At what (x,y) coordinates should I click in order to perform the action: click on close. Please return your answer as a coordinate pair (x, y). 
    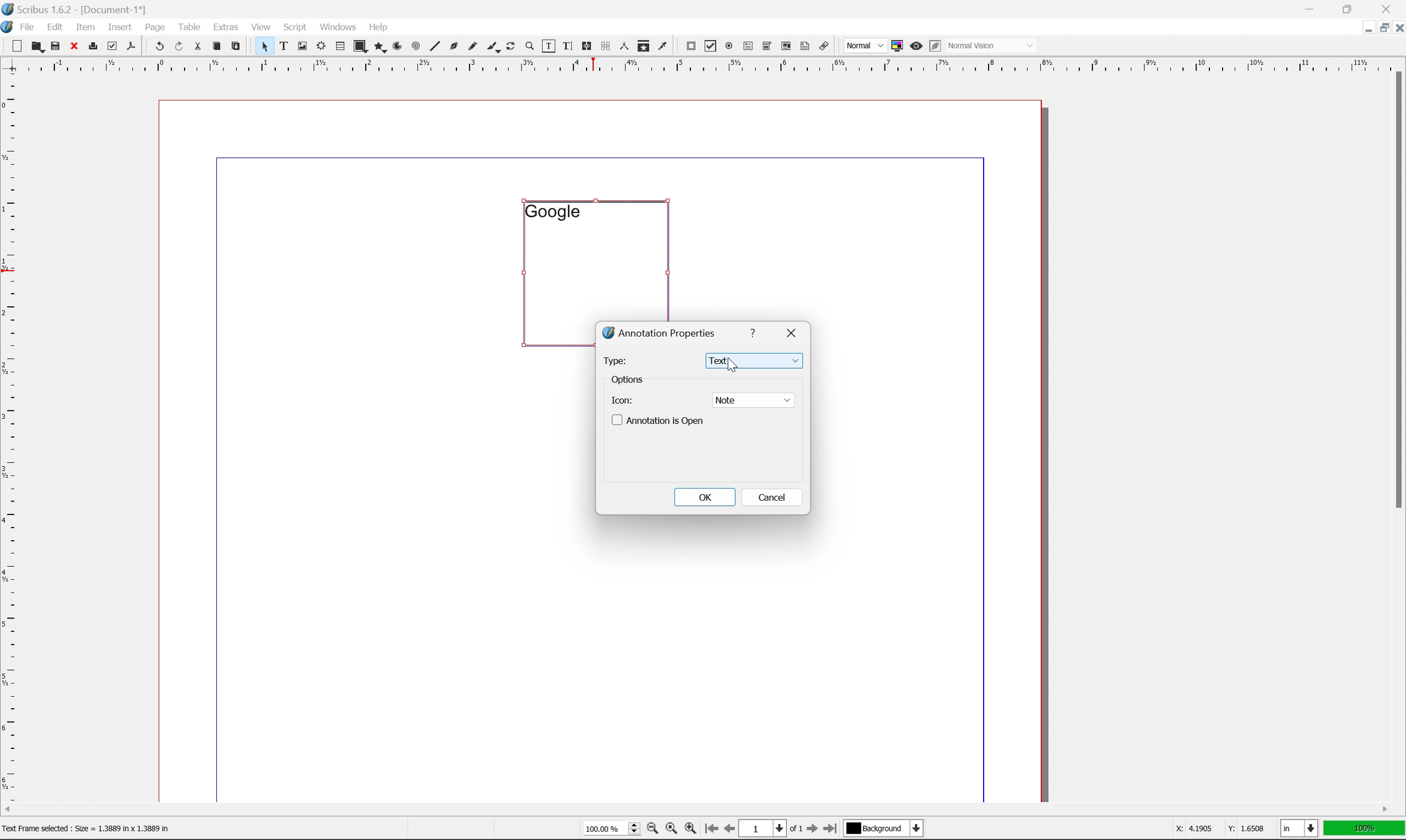
    Looking at the image, I should click on (794, 331).